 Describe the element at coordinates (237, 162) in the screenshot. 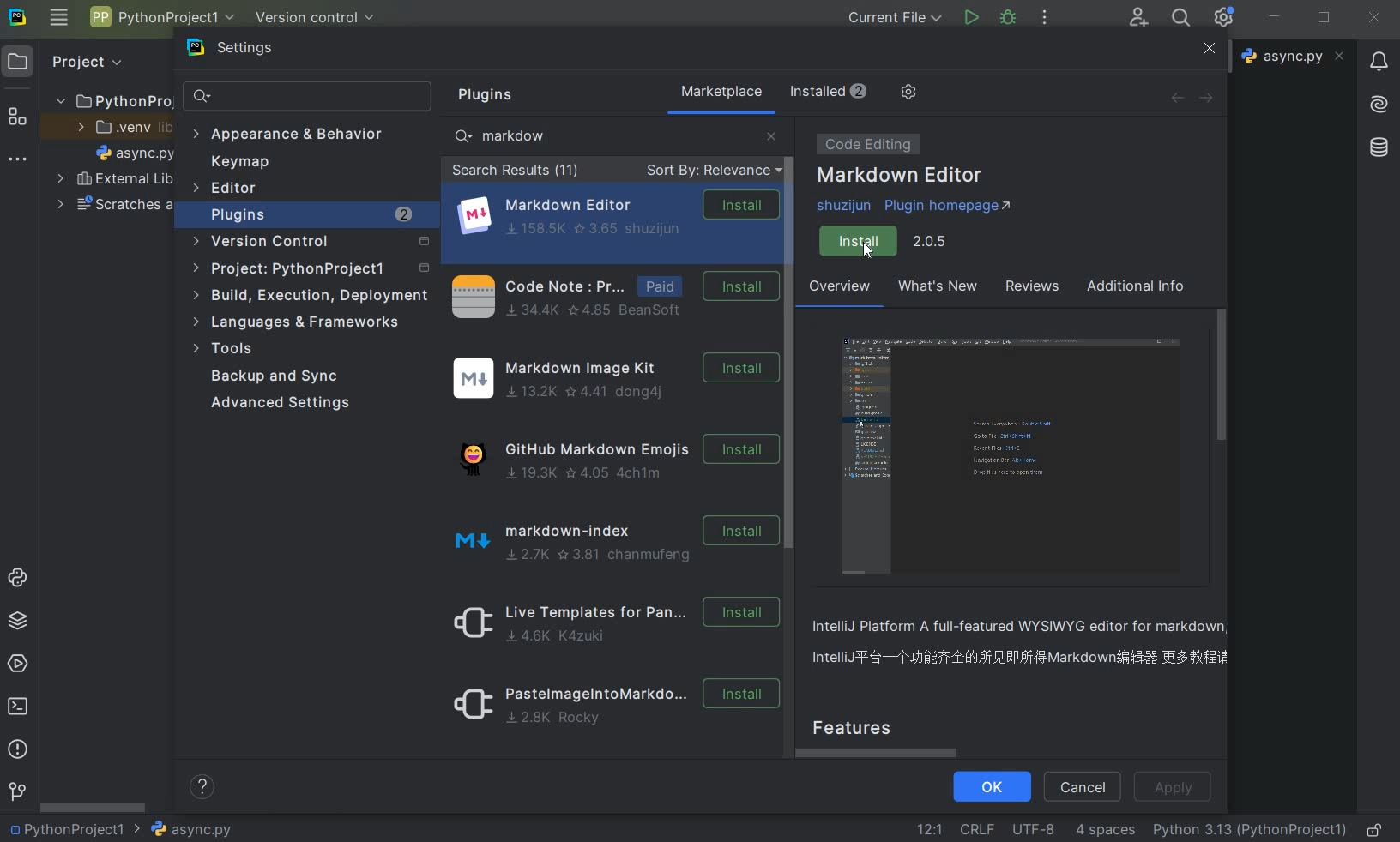

I see `keymap` at that location.